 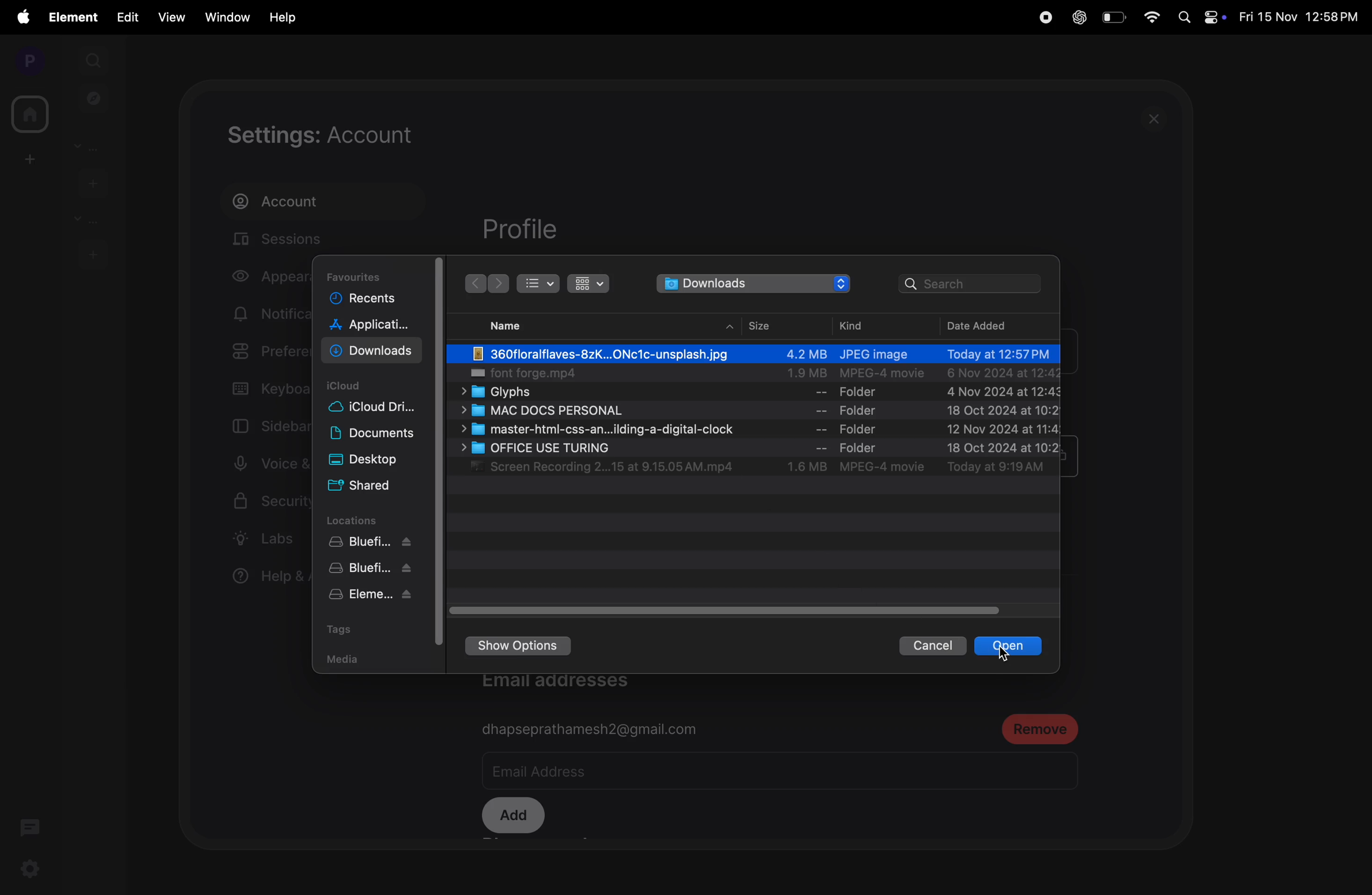 I want to click on element, so click(x=75, y=17).